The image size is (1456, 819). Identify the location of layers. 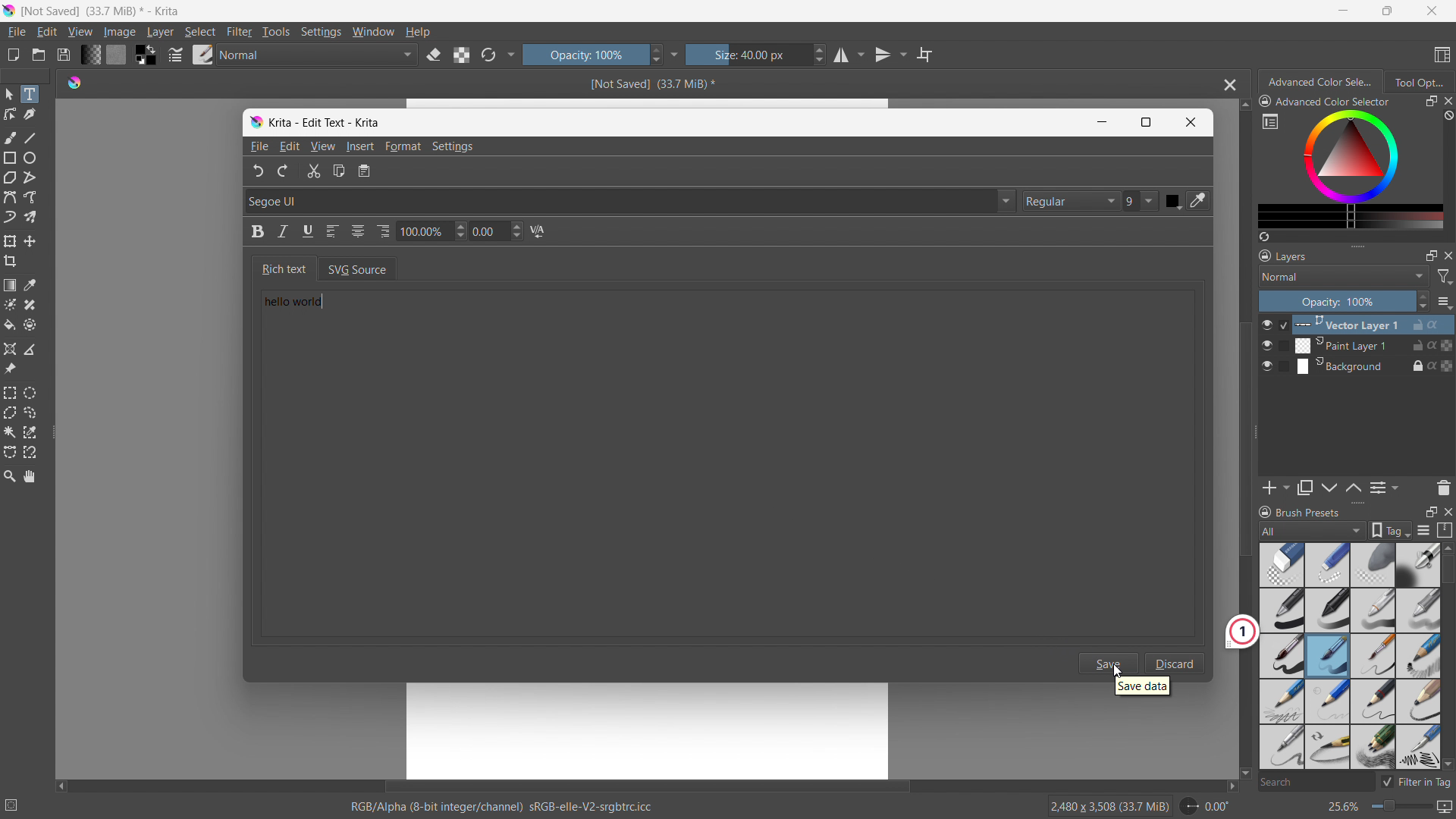
(1283, 255).